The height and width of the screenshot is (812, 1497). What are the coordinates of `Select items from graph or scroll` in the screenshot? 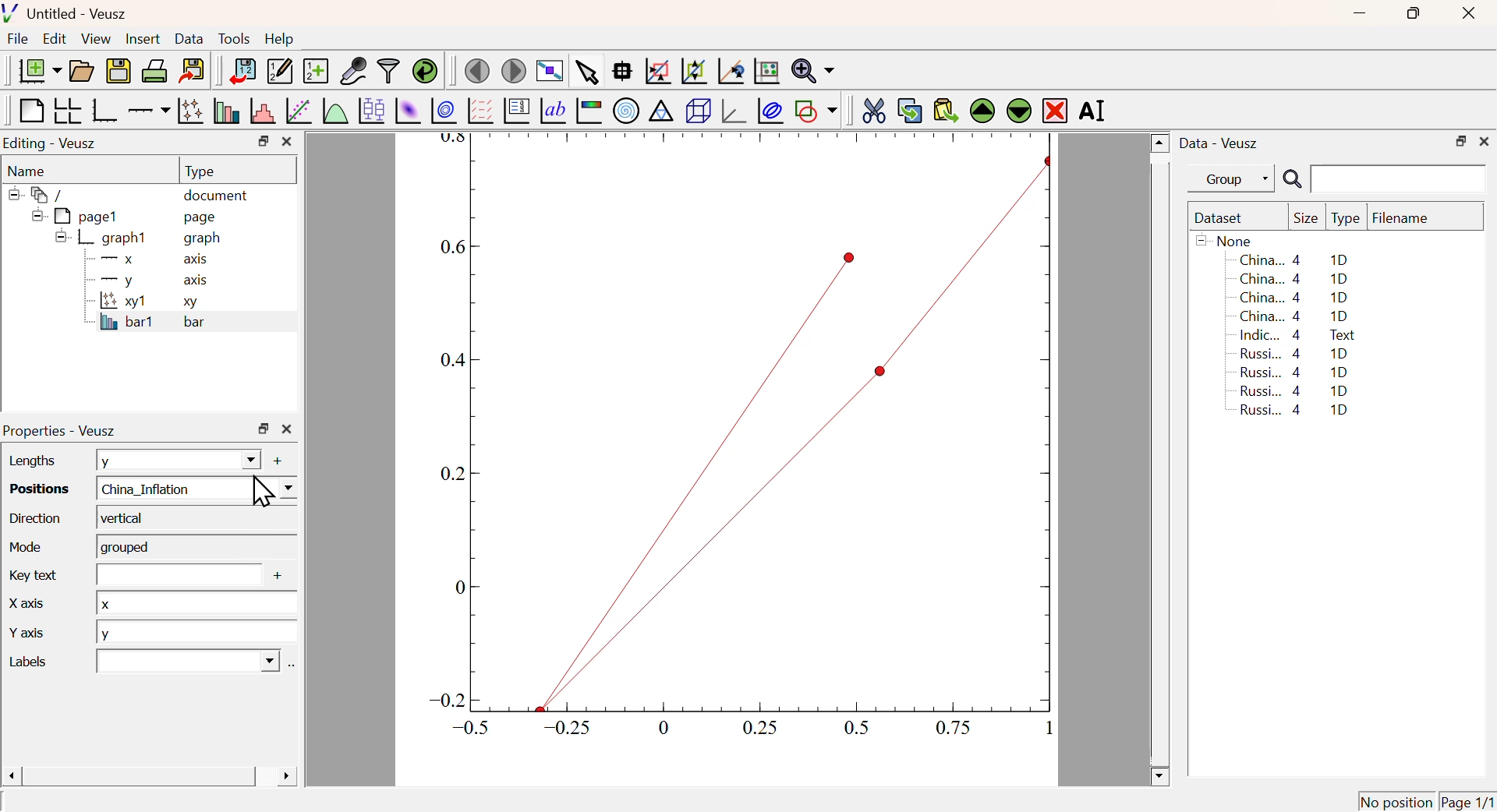 It's located at (586, 75).